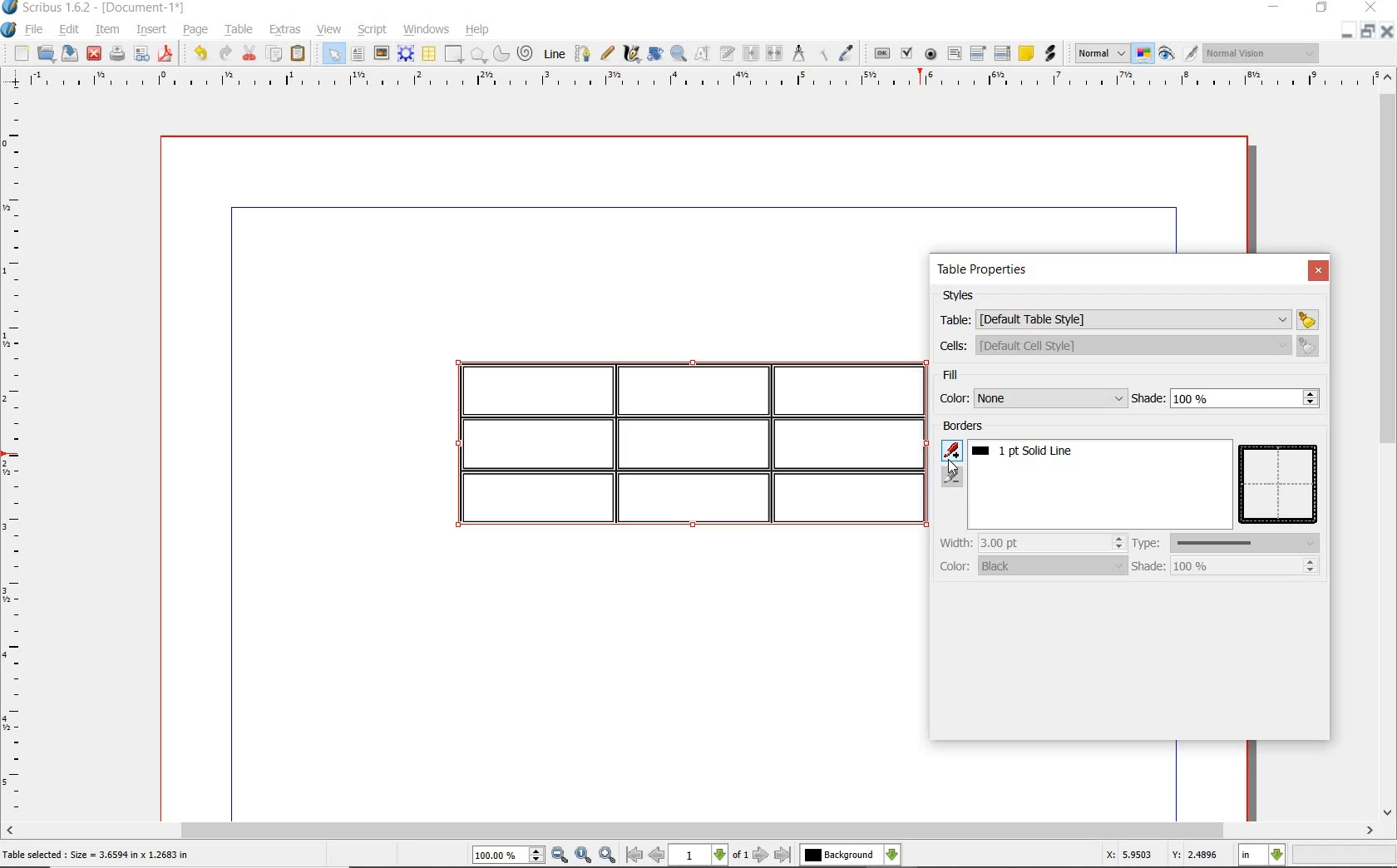 This screenshot has height=868, width=1397. I want to click on go to last page, so click(784, 854).